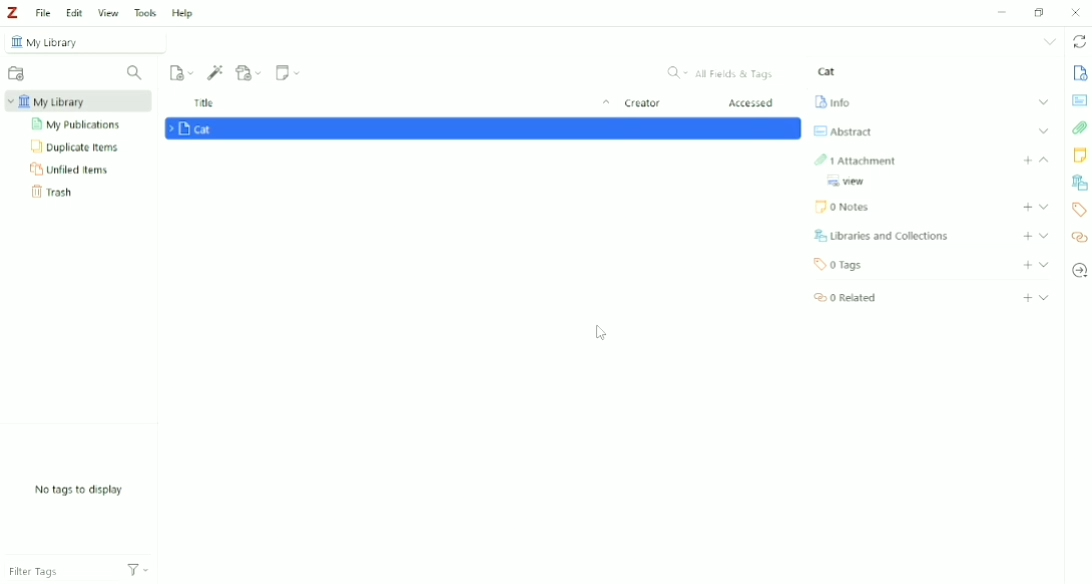 This screenshot has height=584, width=1092. Describe the element at coordinates (1079, 72) in the screenshot. I see `Info` at that location.